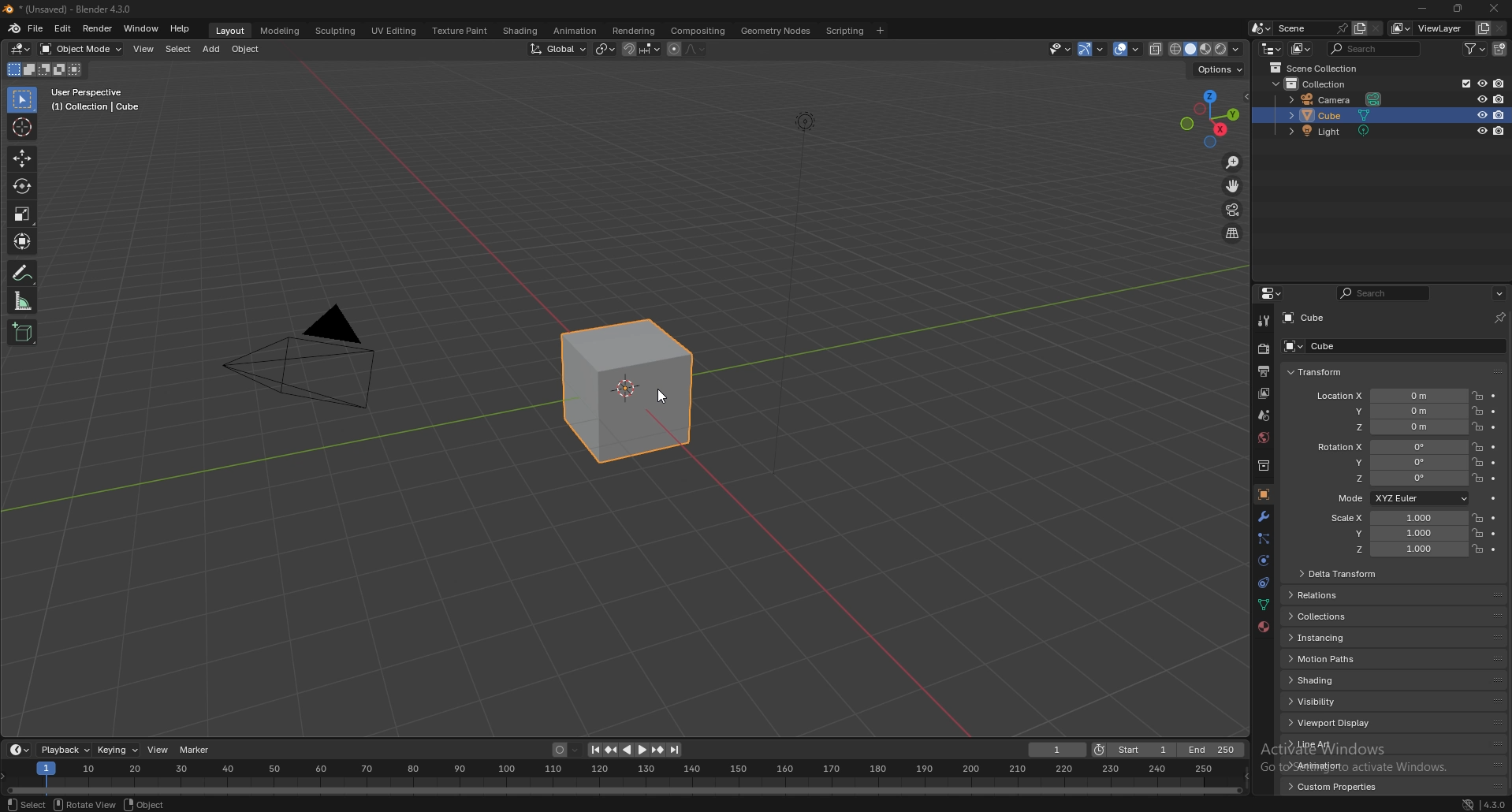 The height and width of the screenshot is (812, 1512). I want to click on annotate, so click(23, 272).